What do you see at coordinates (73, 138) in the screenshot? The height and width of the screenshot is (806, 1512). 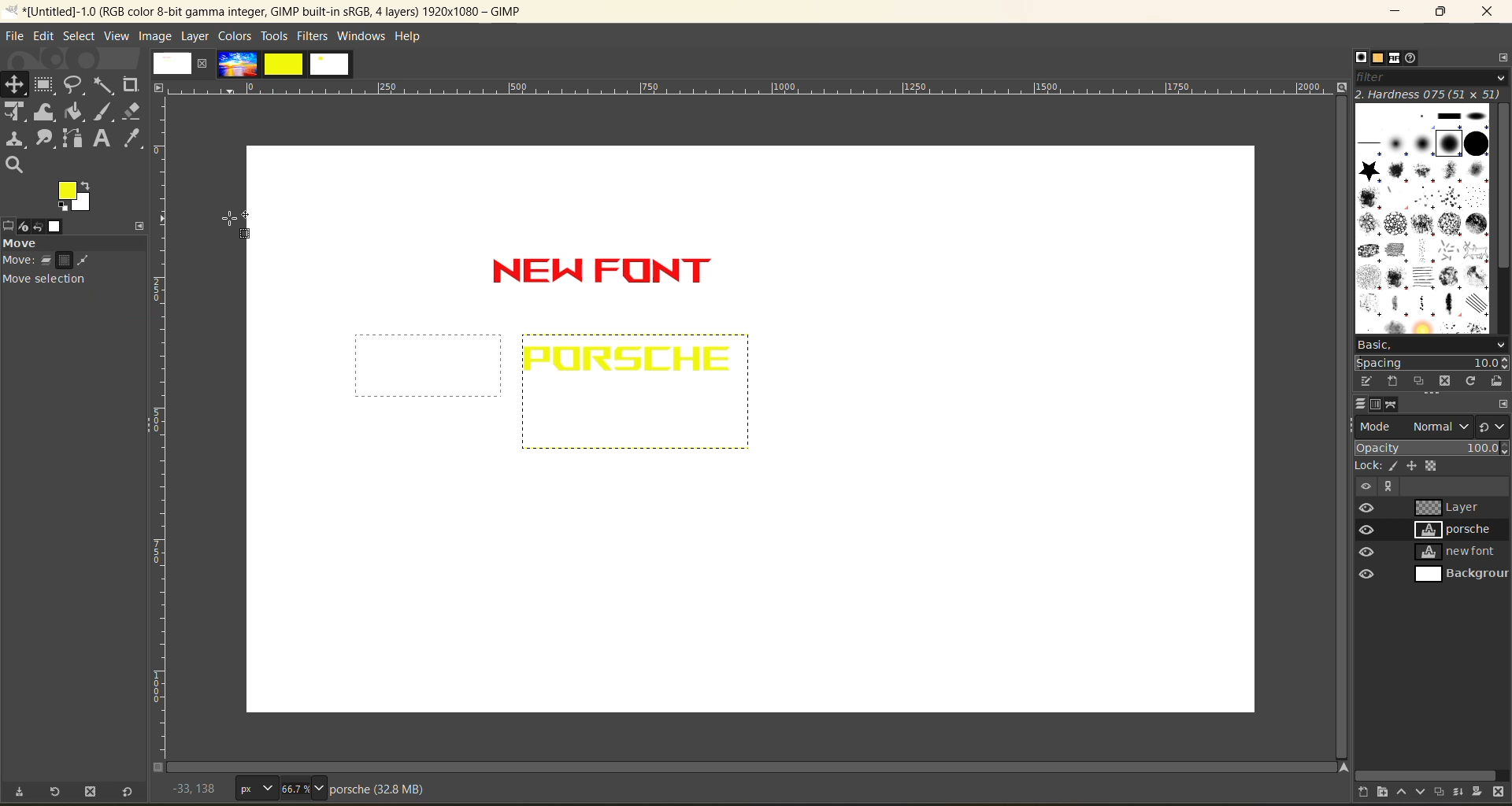 I see `path tool` at bounding box center [73, 138].